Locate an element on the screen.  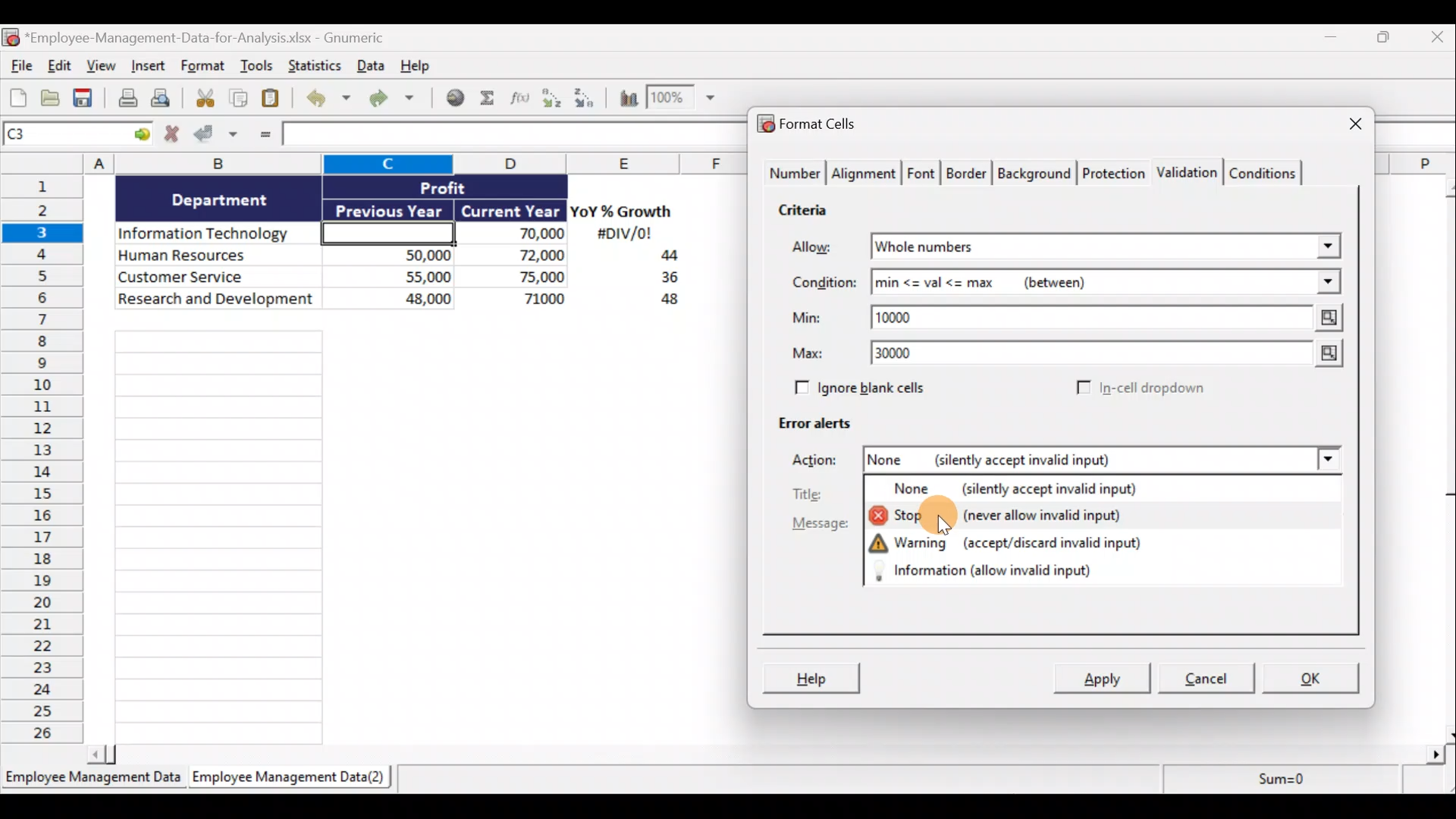
Insert a chart is located at coordinates (622, 97).